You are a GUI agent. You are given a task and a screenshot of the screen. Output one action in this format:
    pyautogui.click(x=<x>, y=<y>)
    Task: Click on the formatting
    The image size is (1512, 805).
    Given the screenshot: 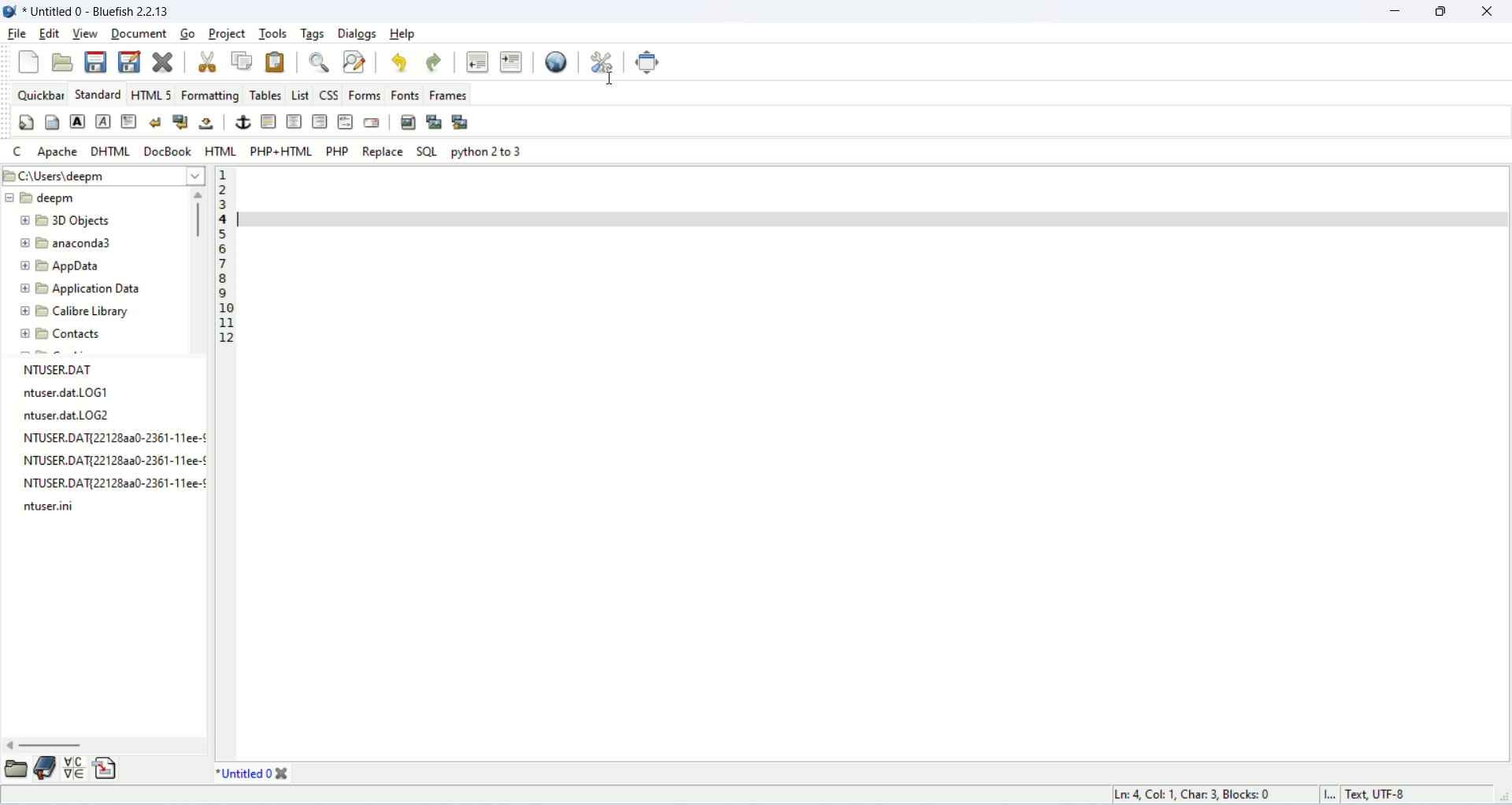 What is the action you would take?
    pyautogui.click(x=209, y=95)
    